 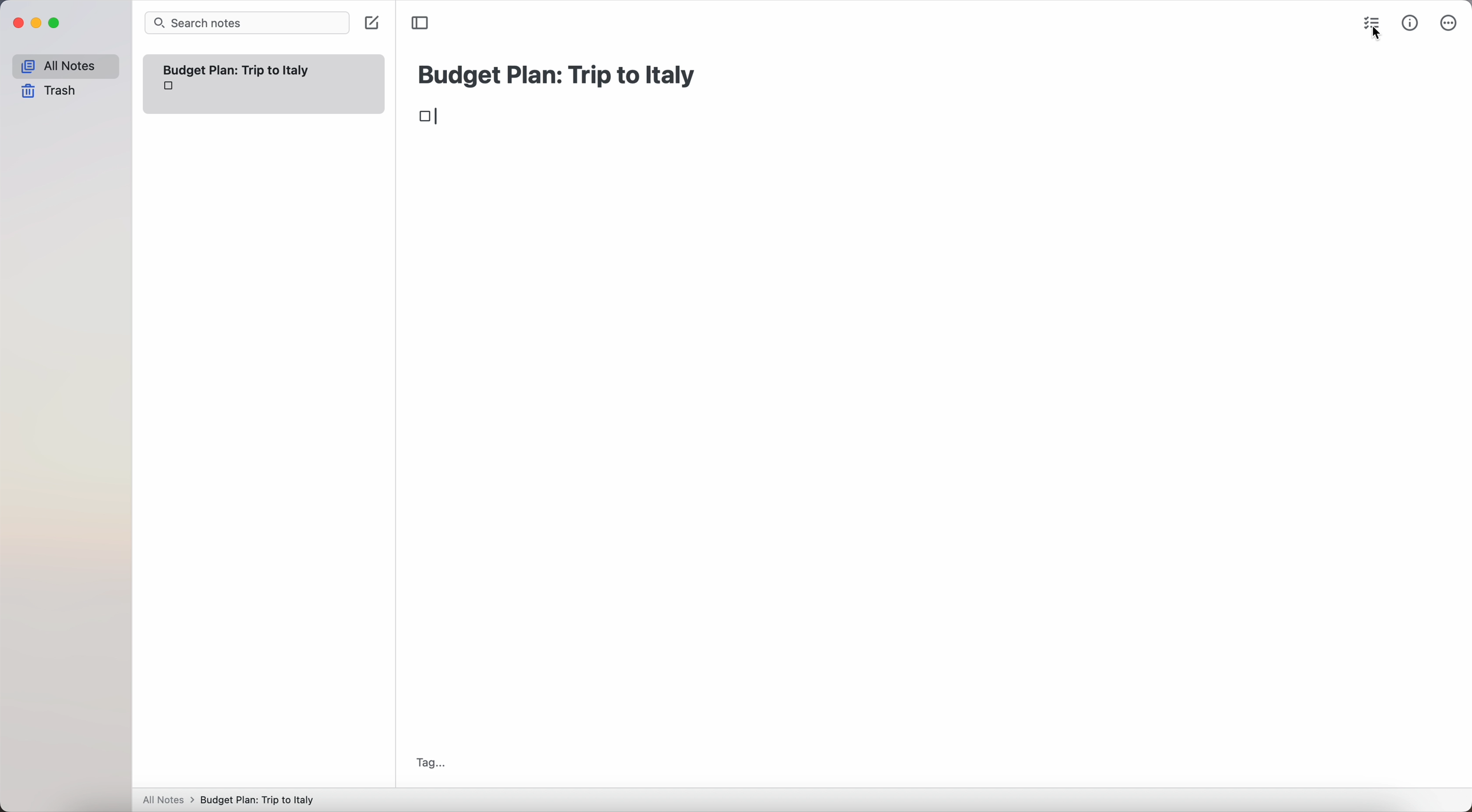 I want to click on minimize, so click(x=39, y=23).